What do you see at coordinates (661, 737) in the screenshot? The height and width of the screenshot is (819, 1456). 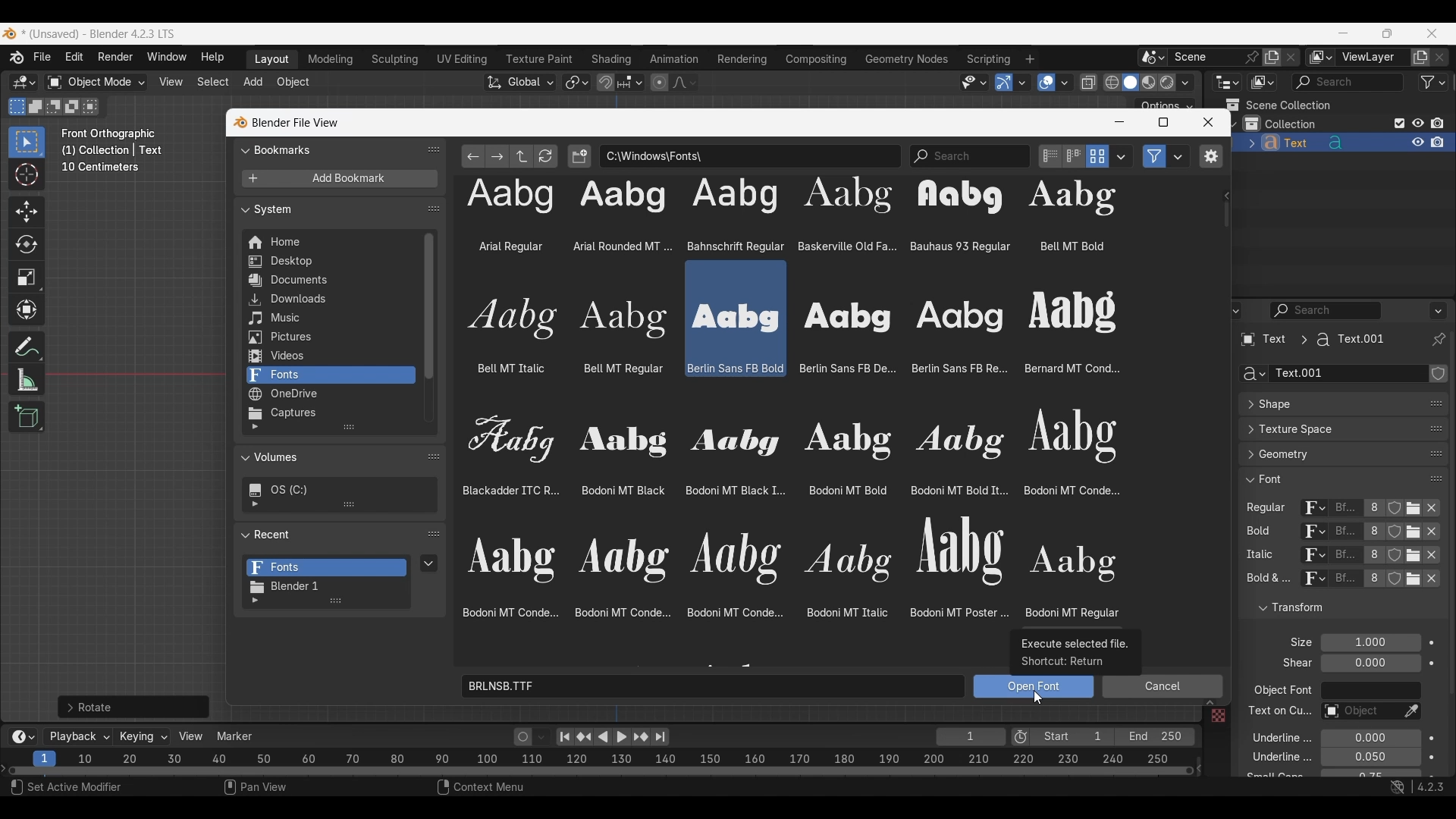 I see `Jump to end point` at bounding box center [661, 737].